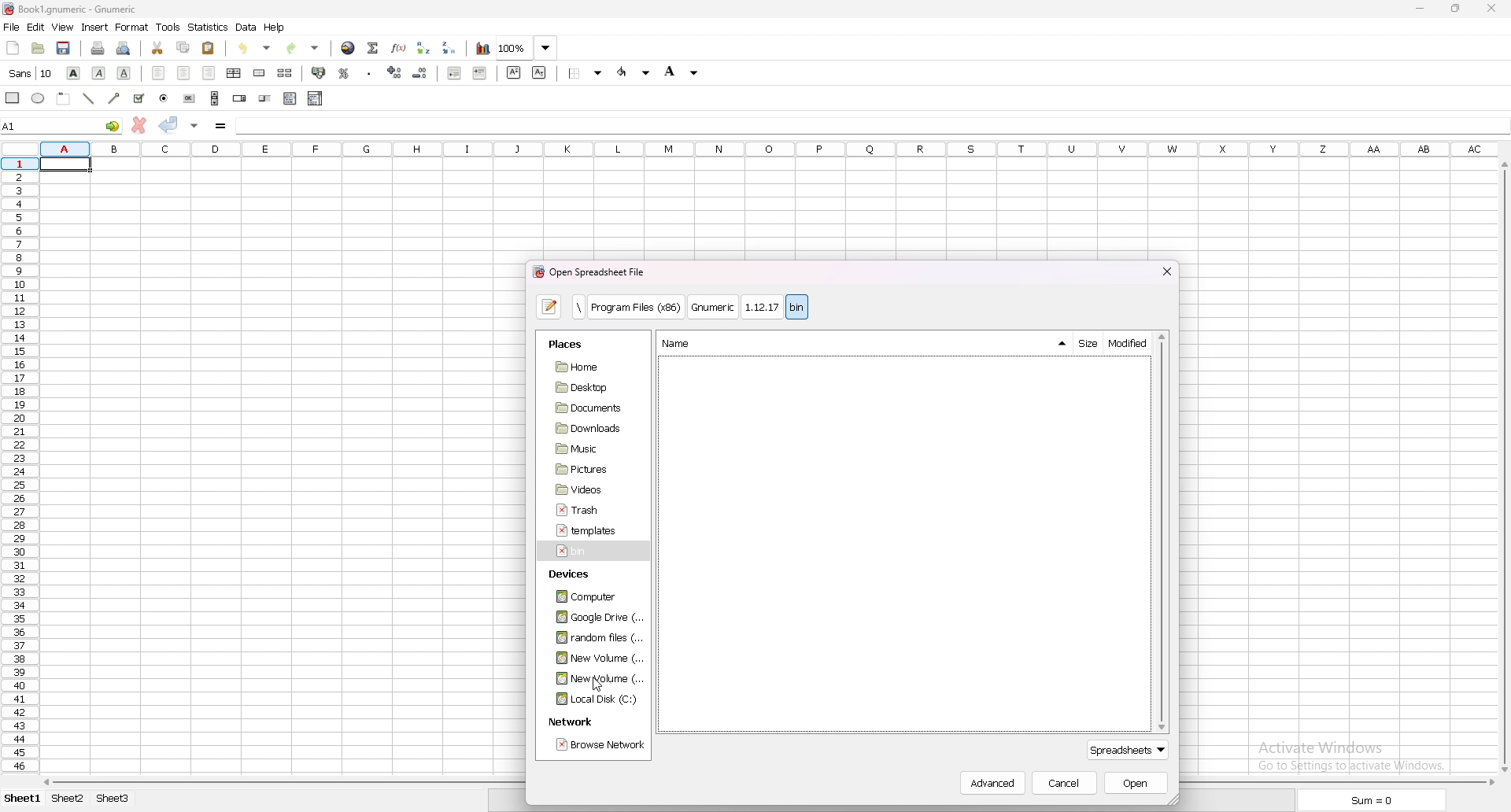  Describe the element at coordinates (194, 125) in the screenshot. I see `accept change in multiple cell` at that location.